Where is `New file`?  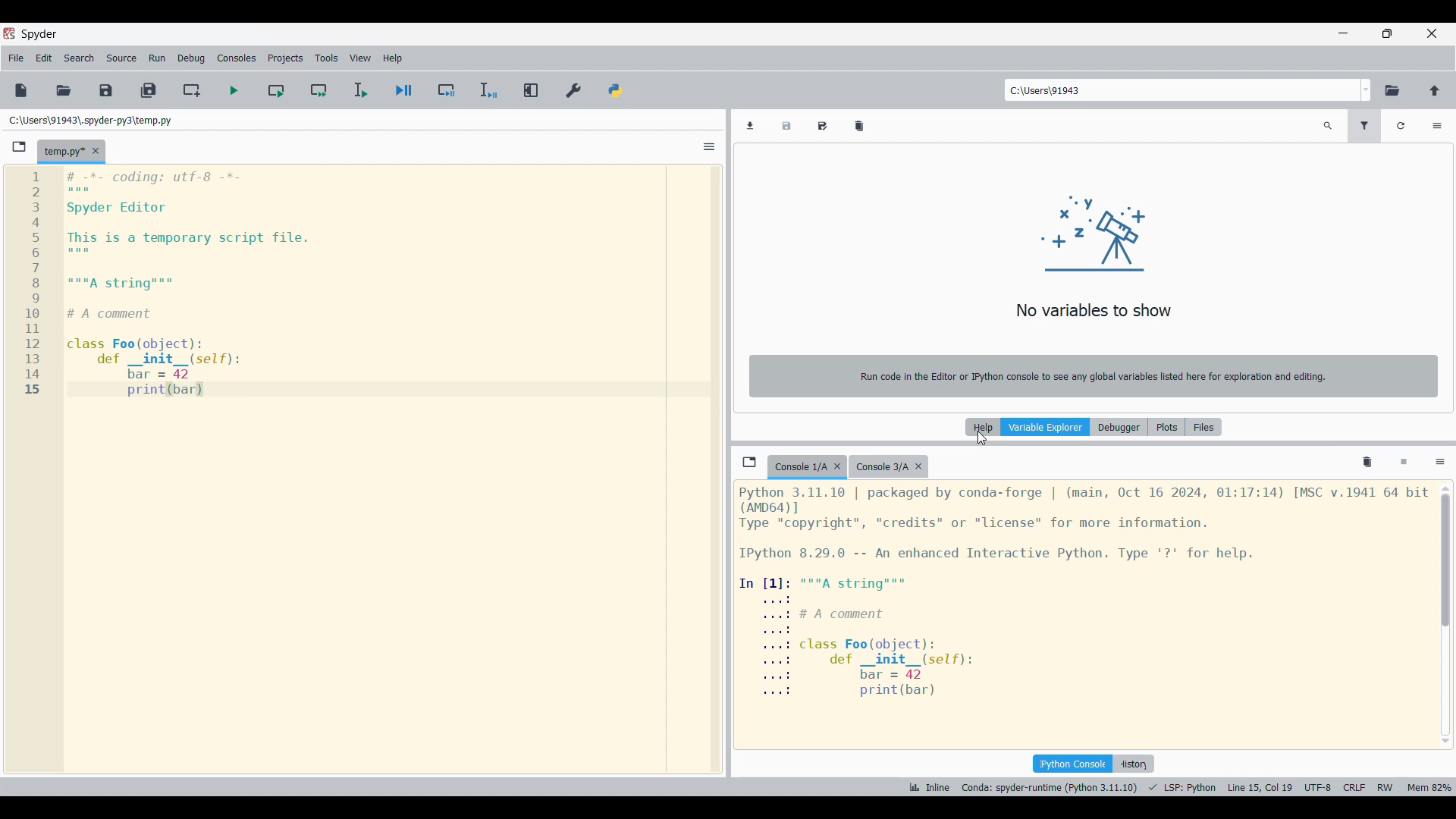
New file is located at coordinates (21, 90).